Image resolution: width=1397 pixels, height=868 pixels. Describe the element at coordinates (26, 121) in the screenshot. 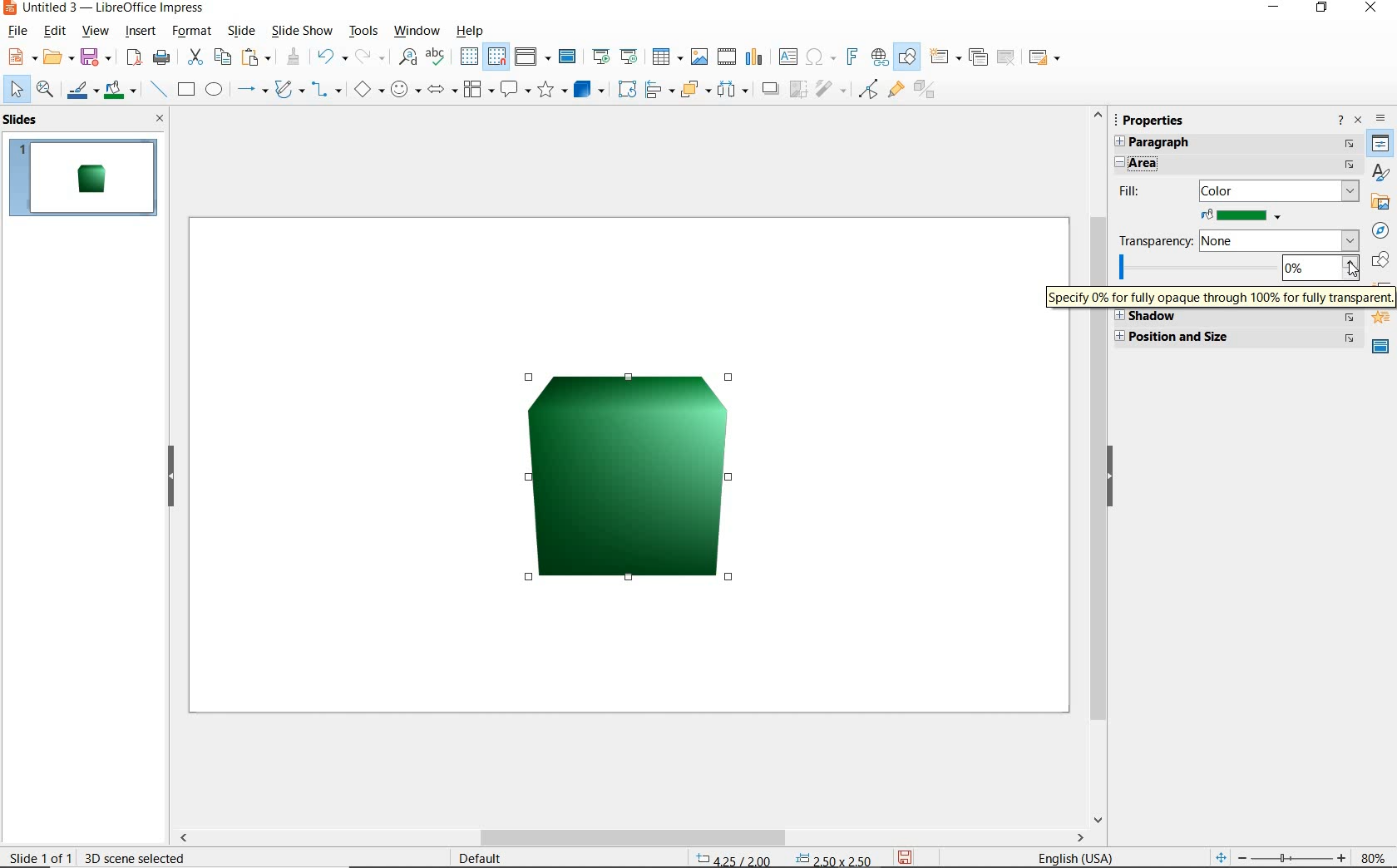

I see `SLIDES` at that location.